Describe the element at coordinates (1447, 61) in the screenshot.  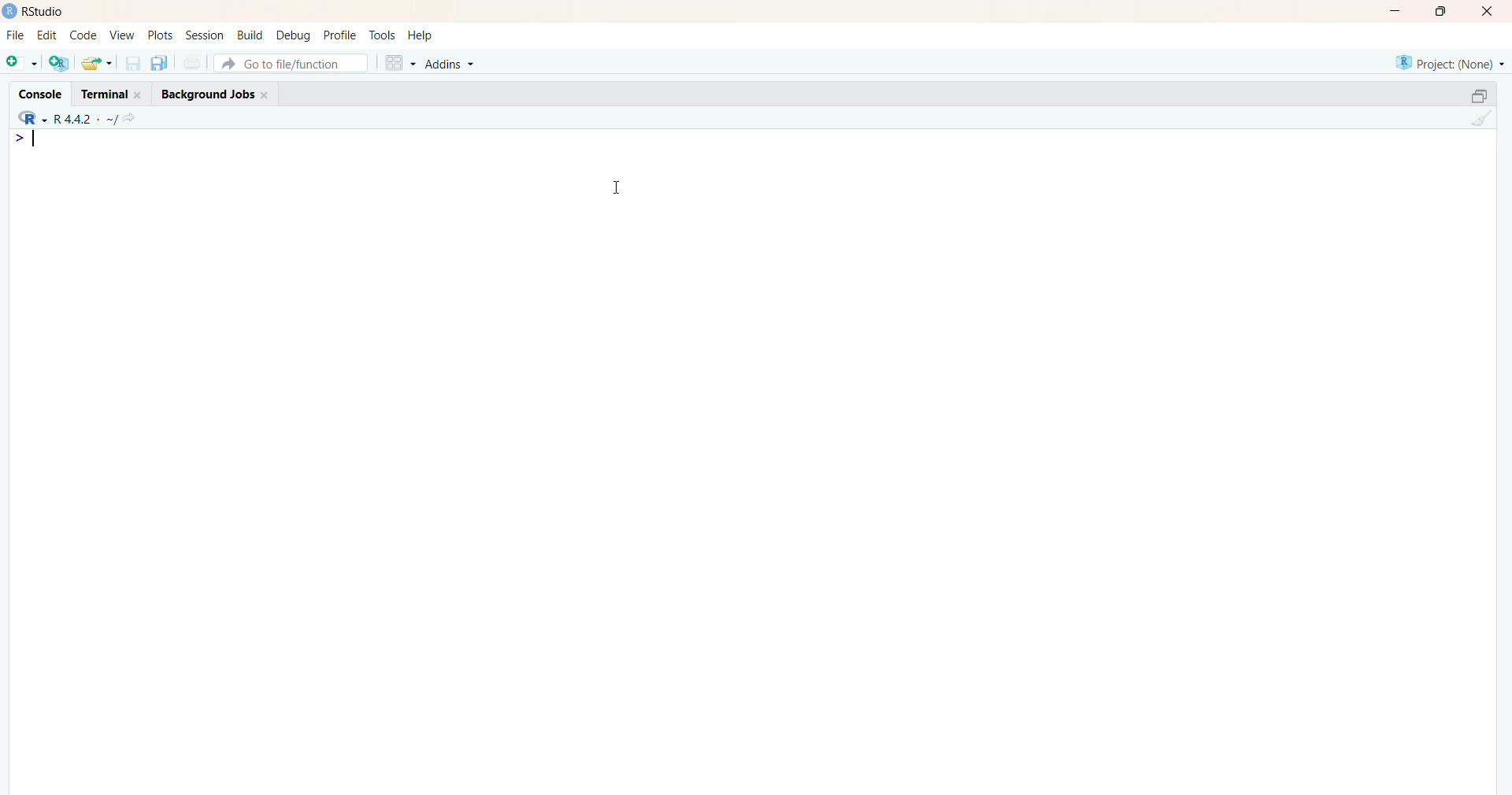
I see `project(none)` at that location.